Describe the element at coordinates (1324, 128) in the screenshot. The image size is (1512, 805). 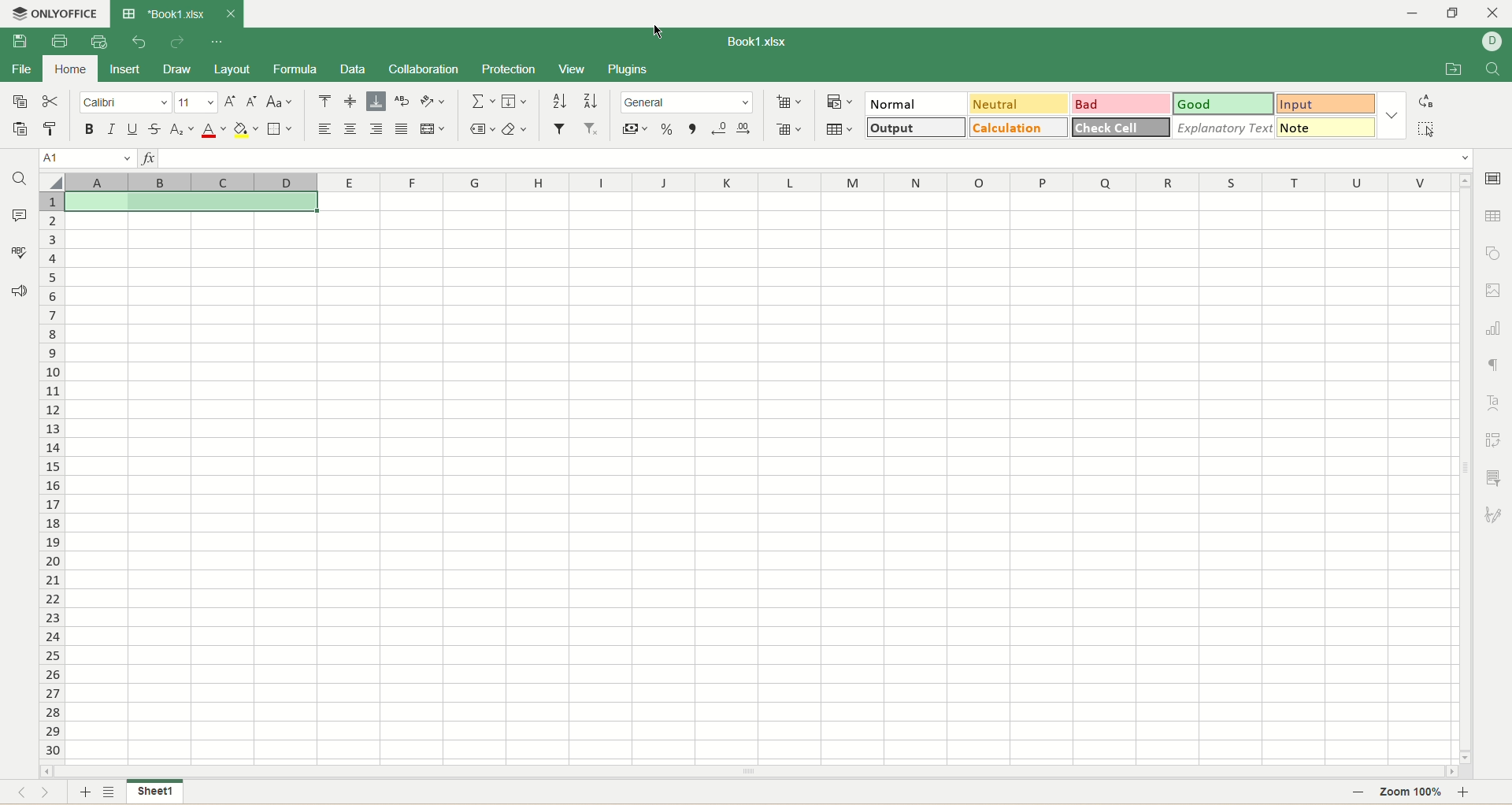
I see `note` at that location.